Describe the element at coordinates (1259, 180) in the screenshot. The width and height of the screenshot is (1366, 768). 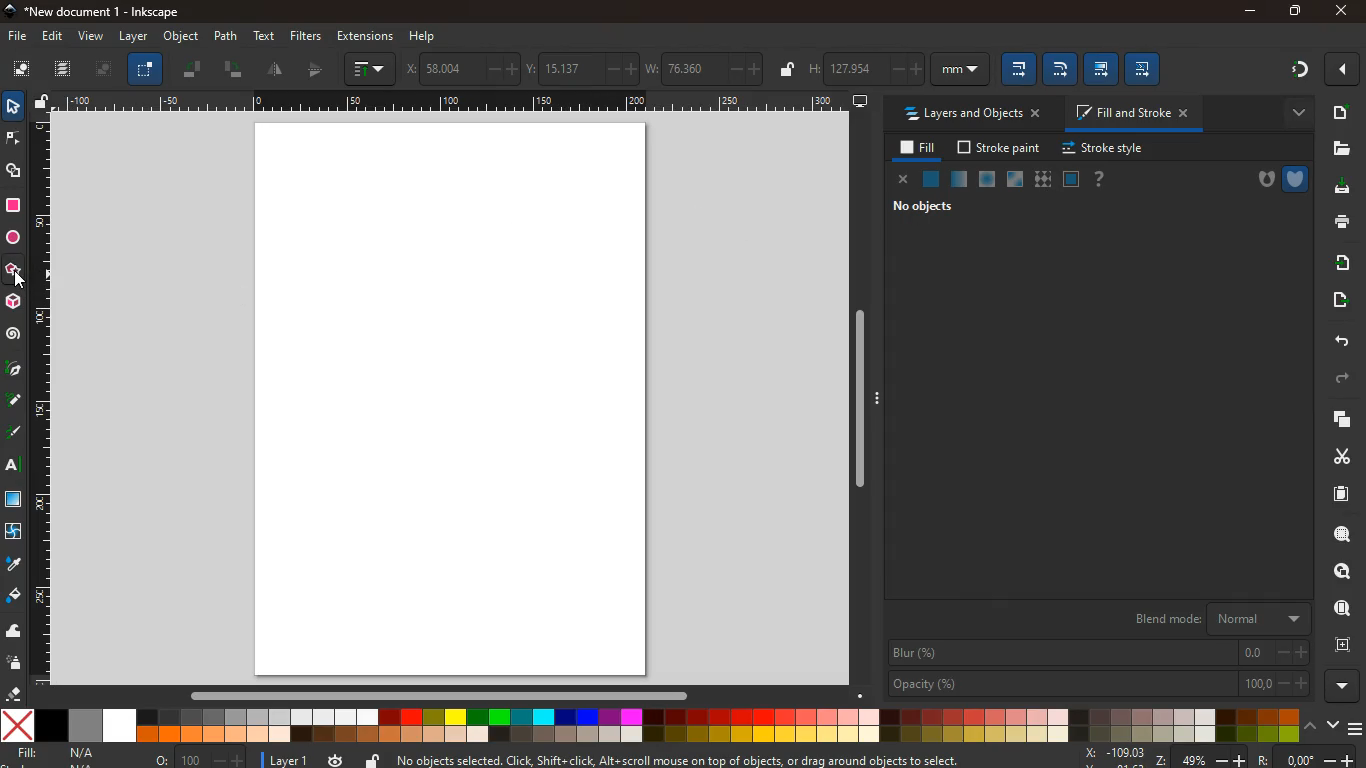
I see `hole` at that location.